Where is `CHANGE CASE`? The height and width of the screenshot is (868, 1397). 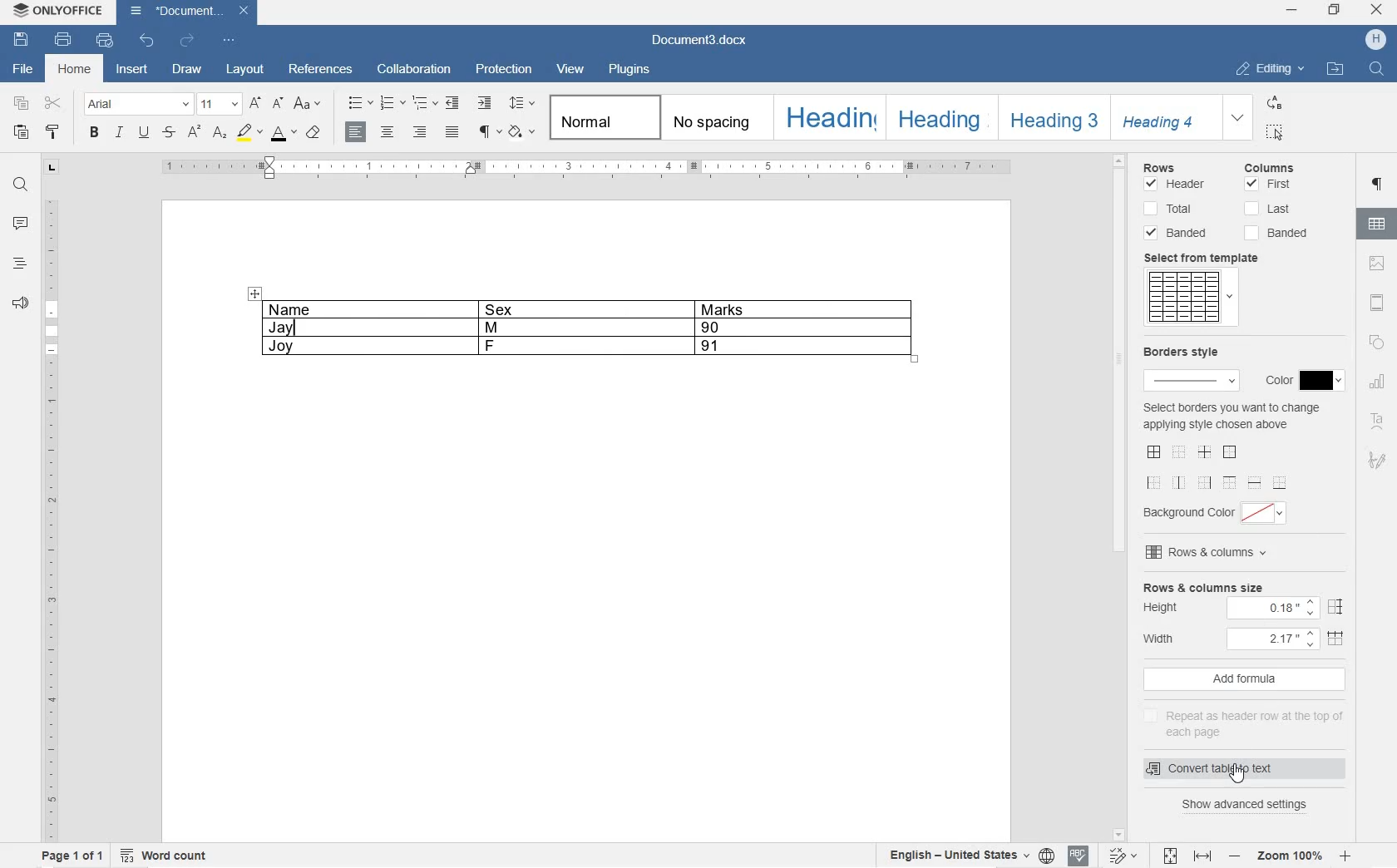 CHANGE CASE is located at coordinates (309, 103).